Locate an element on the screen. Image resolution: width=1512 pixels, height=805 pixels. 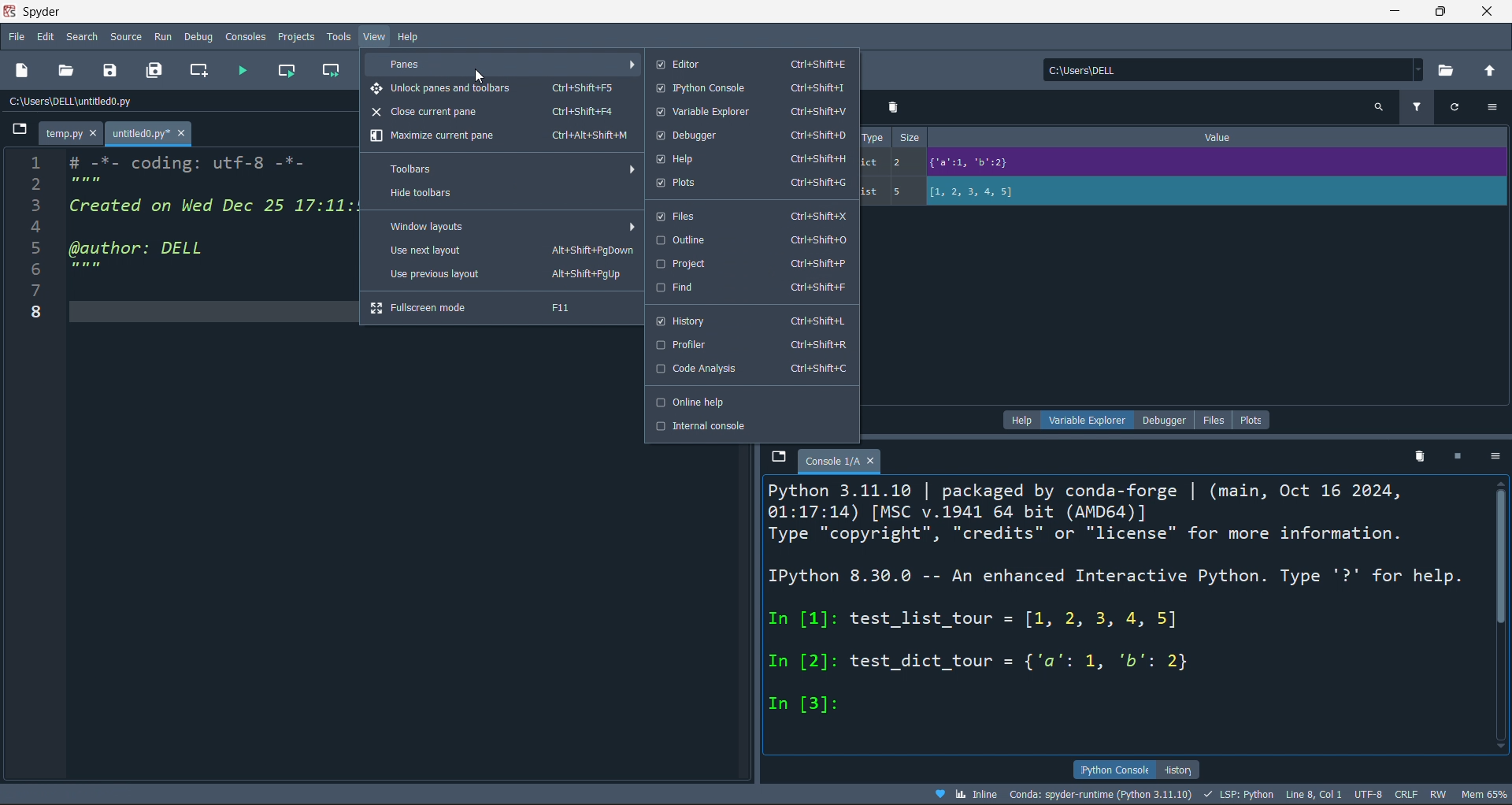
dict is located at coordinates (873, 163).